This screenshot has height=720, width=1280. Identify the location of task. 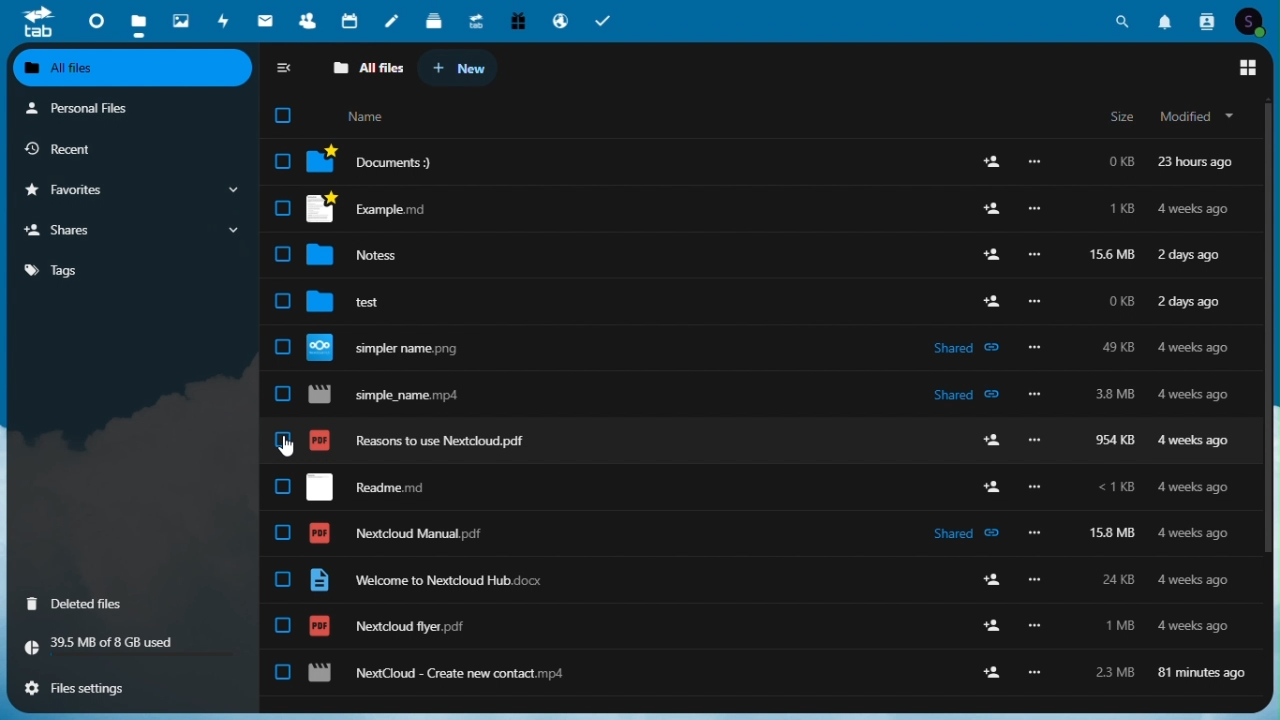
(606, 21).